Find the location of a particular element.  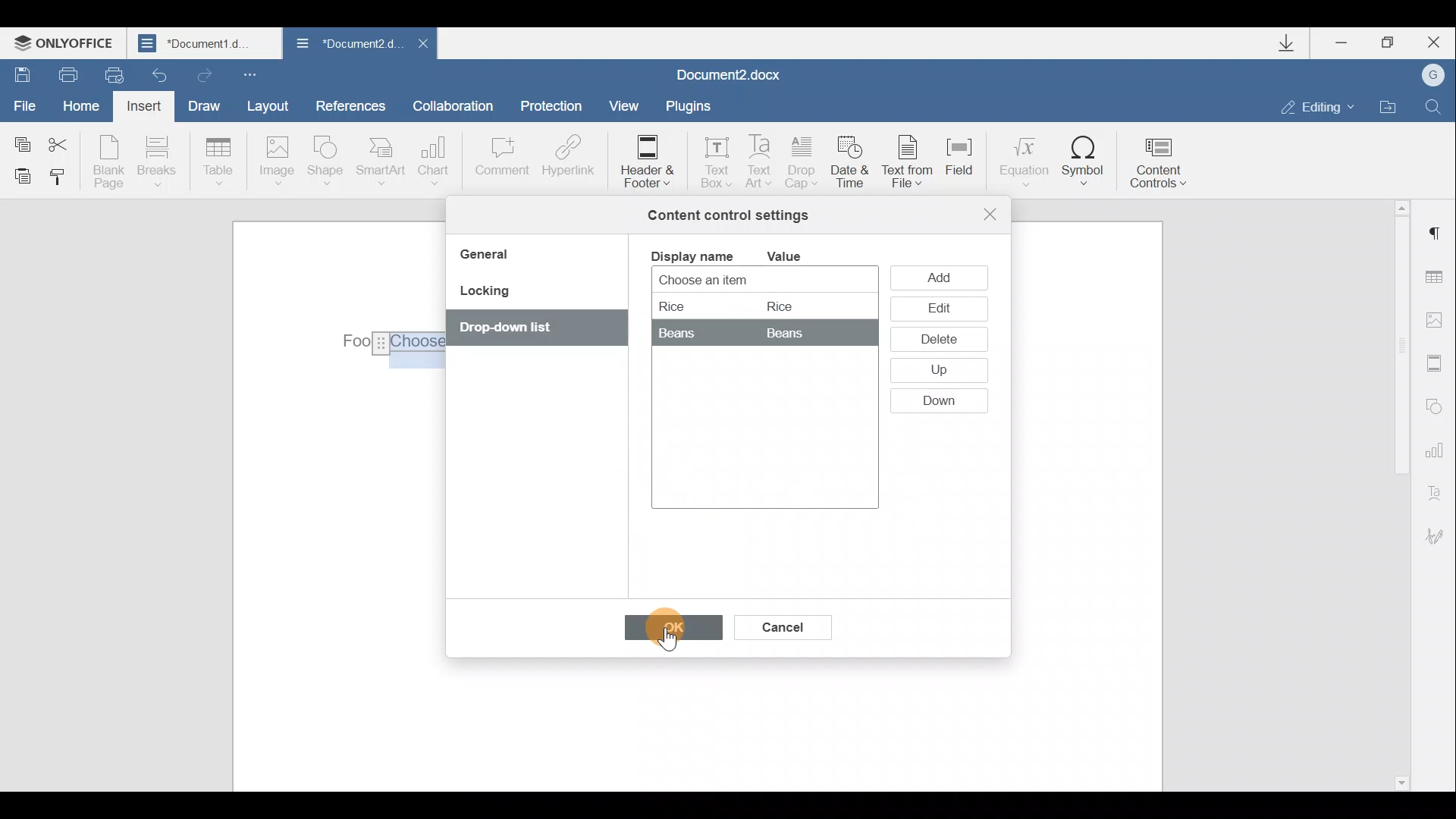

Cursor is located at coordinates (947, 275).